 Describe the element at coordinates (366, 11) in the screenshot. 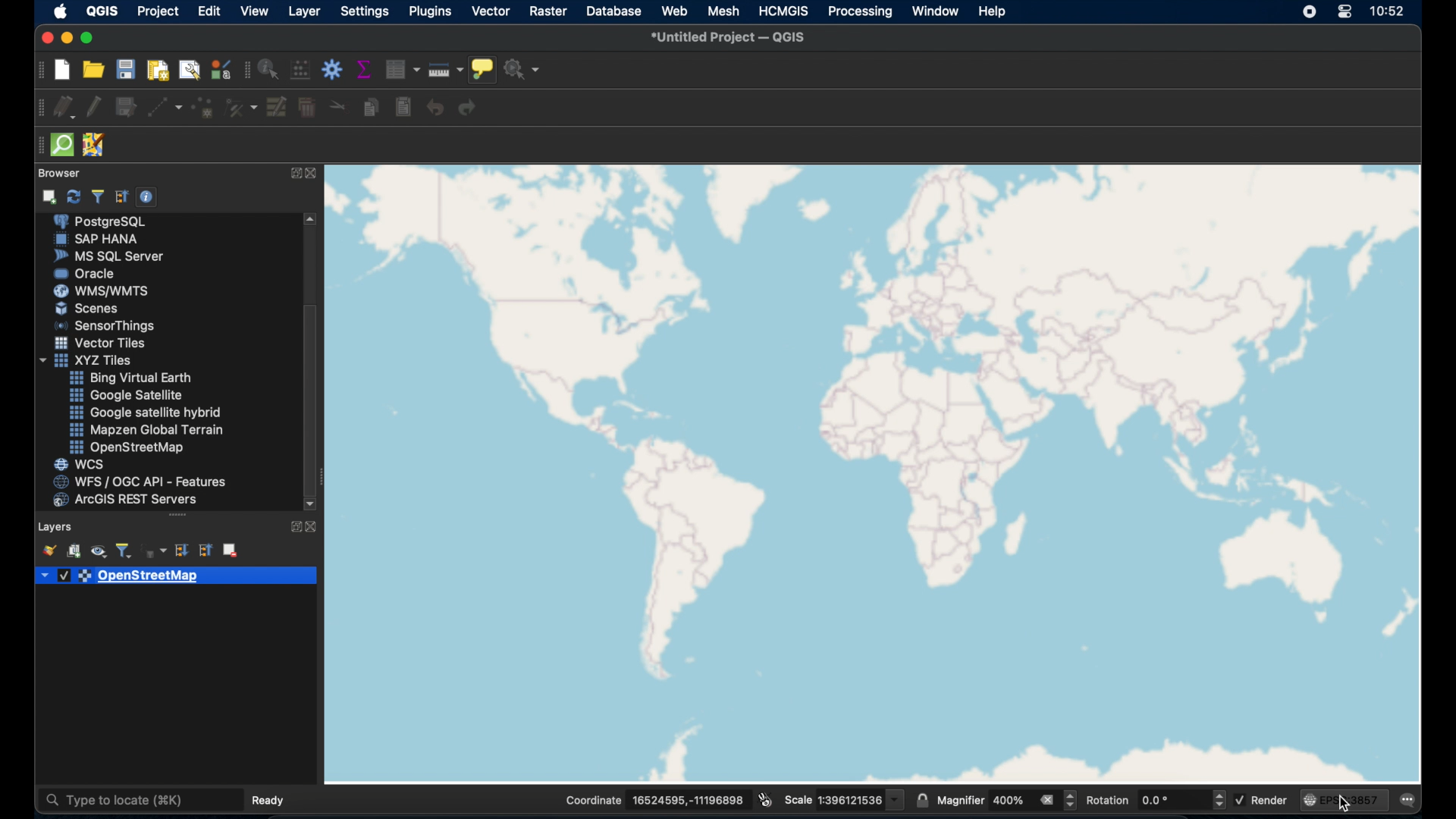

I see `settings` at that location.